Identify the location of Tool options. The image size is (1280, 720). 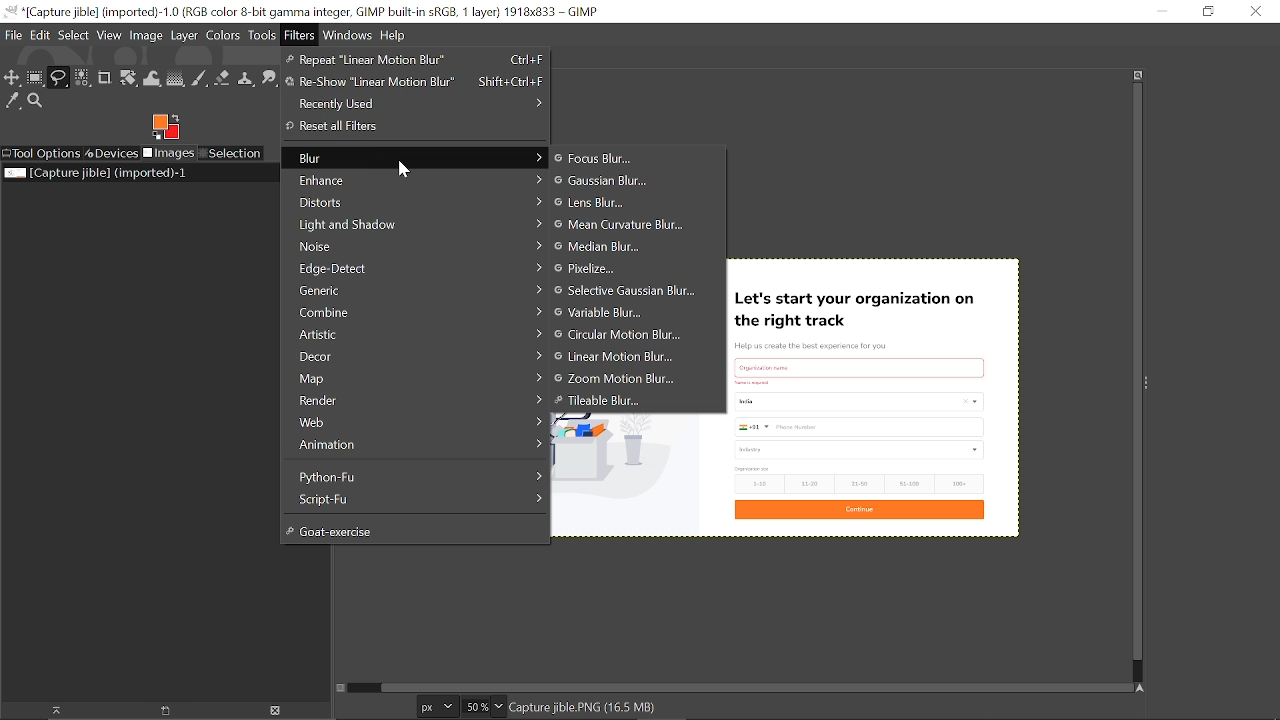
(41, 154).